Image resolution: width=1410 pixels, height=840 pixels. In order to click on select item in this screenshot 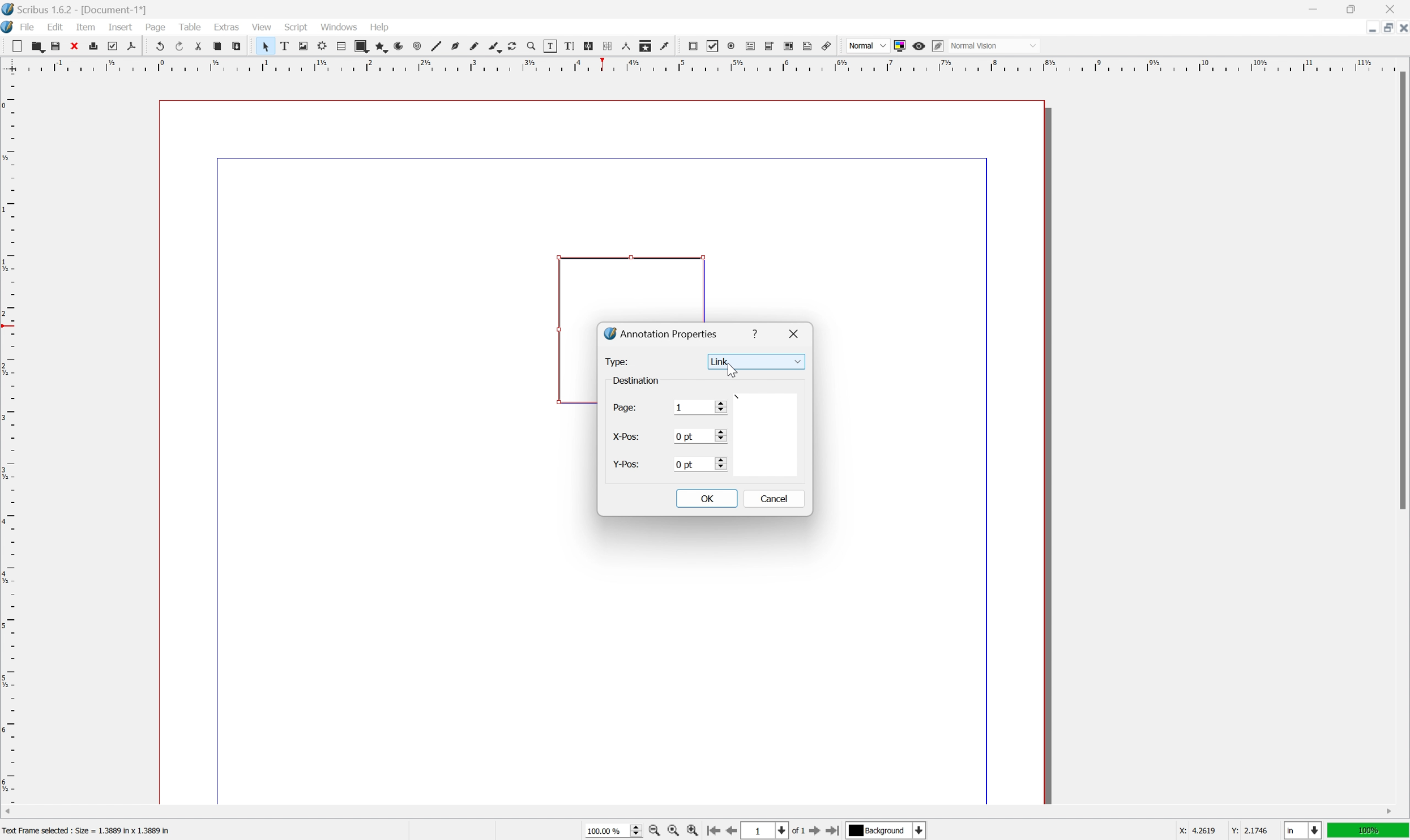, I will do `click(266, 46)`.